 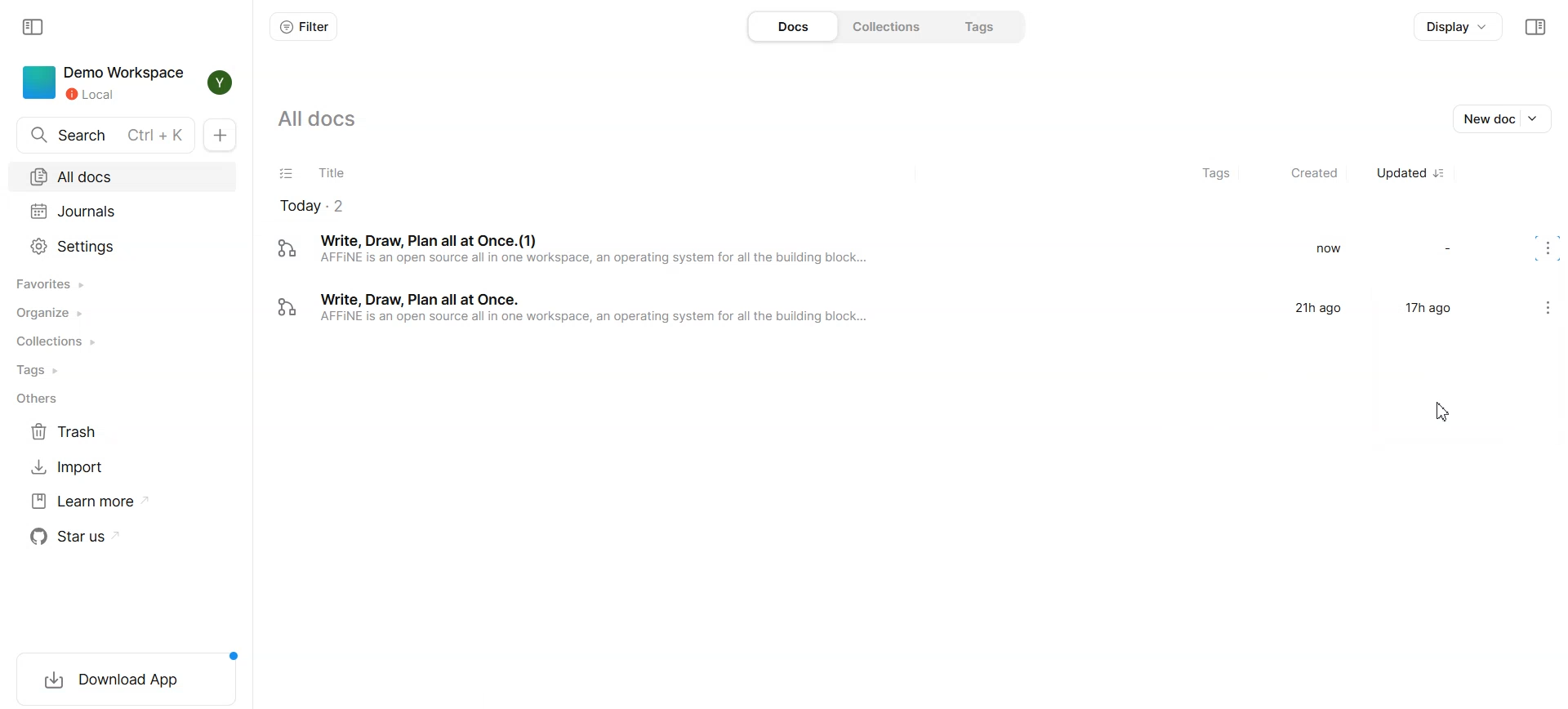 What do you see at coordinates (220, 135) in the screenshot?
I see `New docs` at bounding box center [220, 135].